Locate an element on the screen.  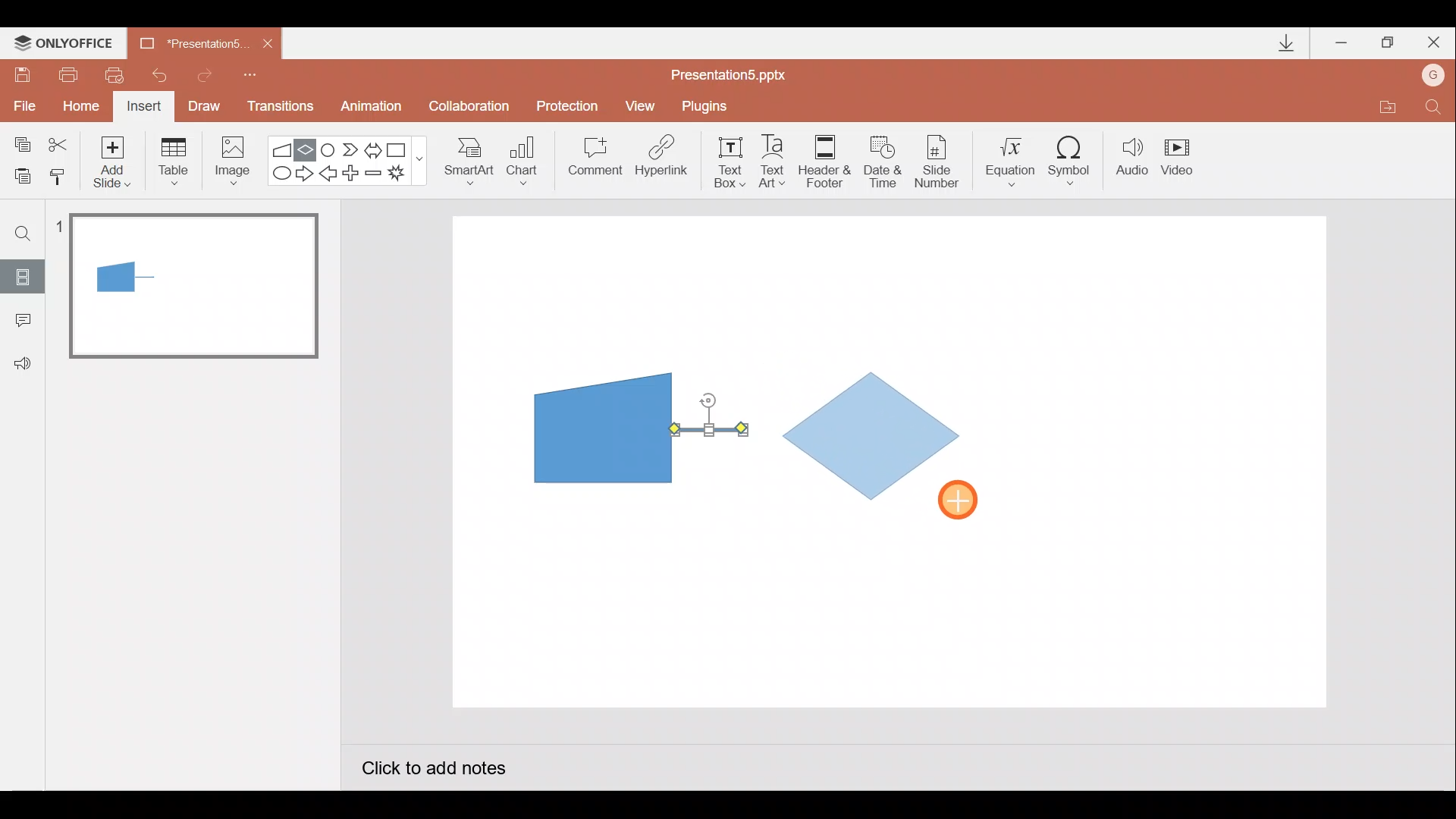
Date & time is located at coordinates (881, 158).